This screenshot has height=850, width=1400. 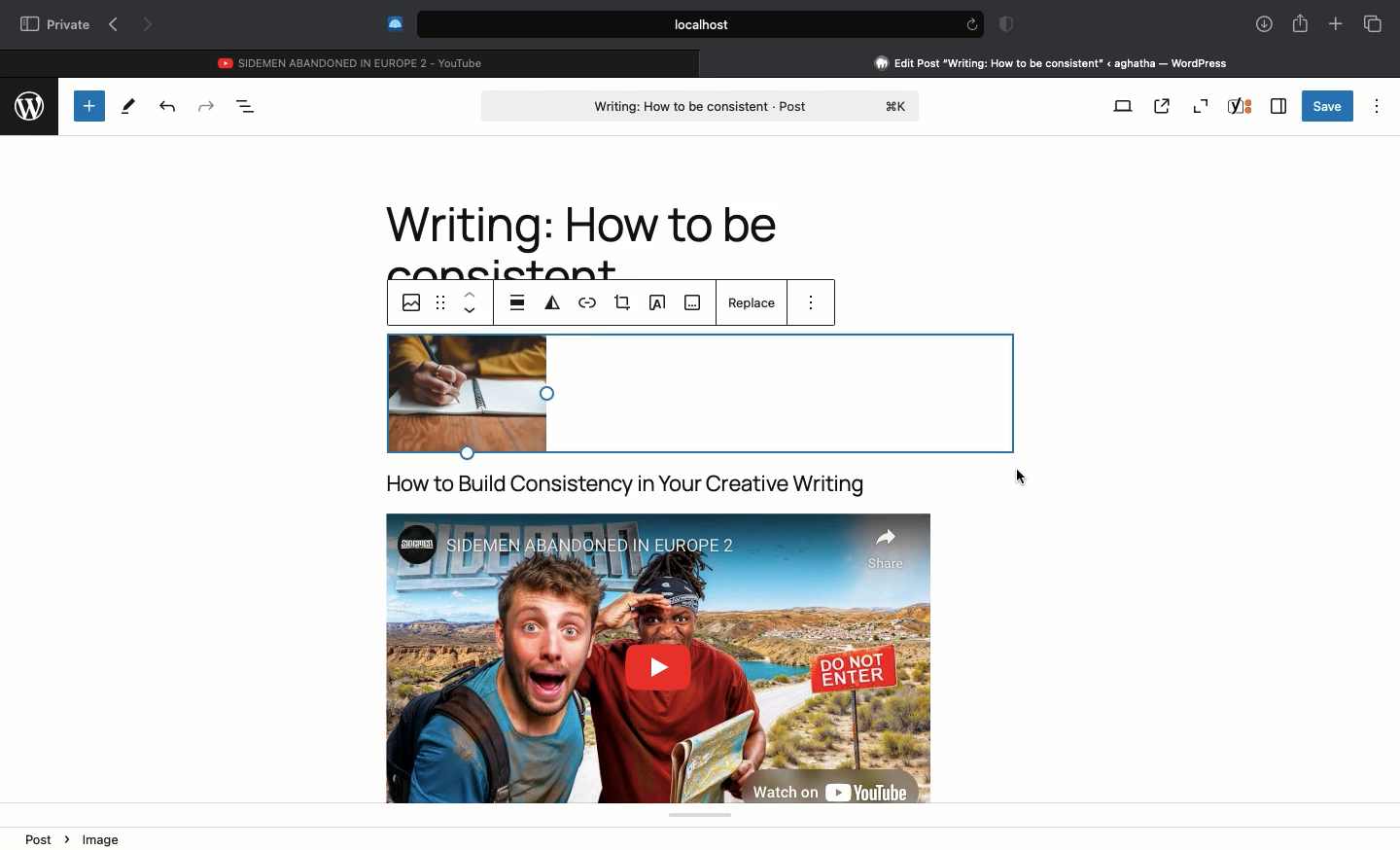 I want to click on Tools, so click(x=128, y=107).